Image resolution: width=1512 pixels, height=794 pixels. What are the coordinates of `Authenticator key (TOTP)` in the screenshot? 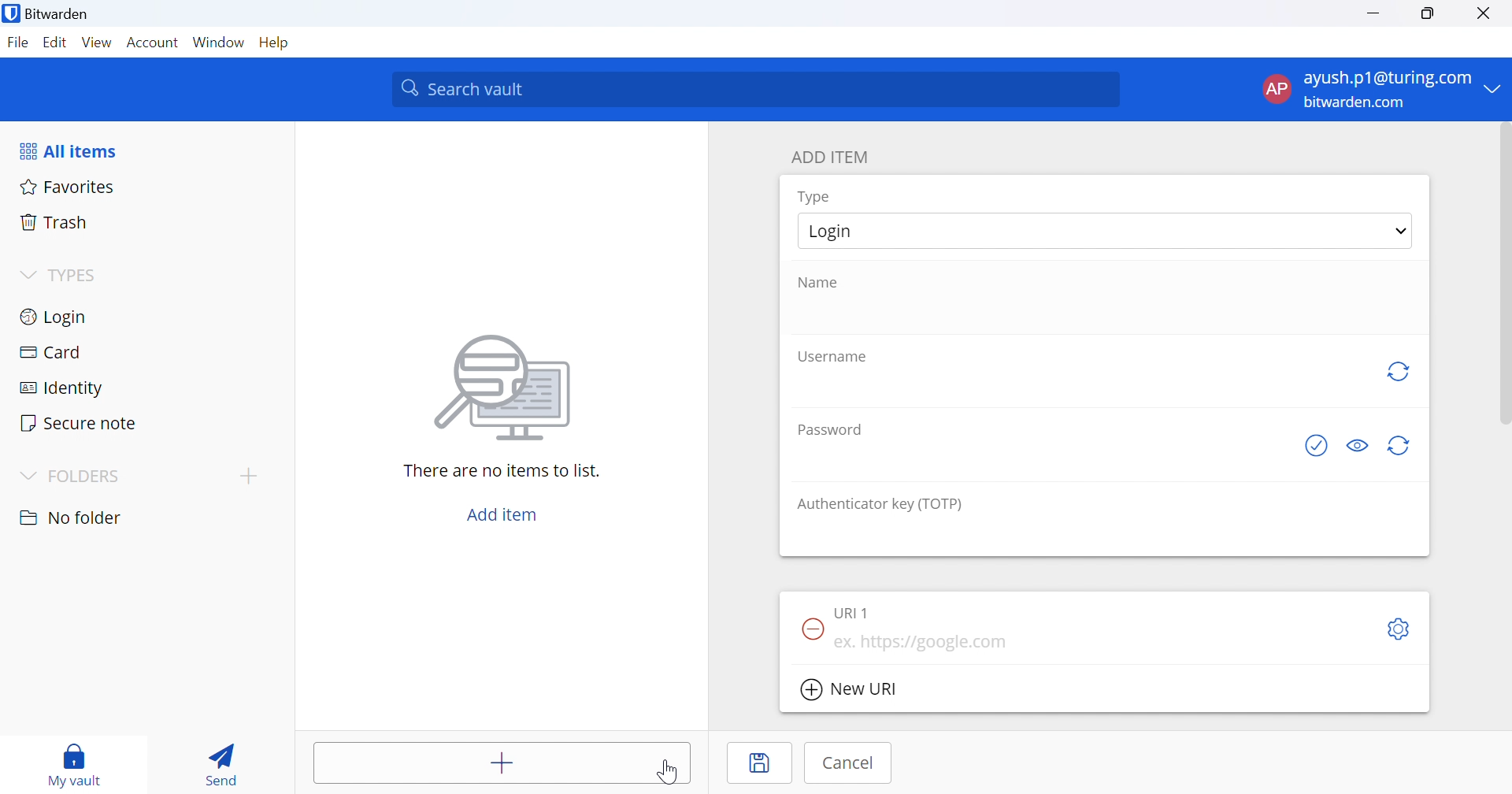 It's located at (880, 506).